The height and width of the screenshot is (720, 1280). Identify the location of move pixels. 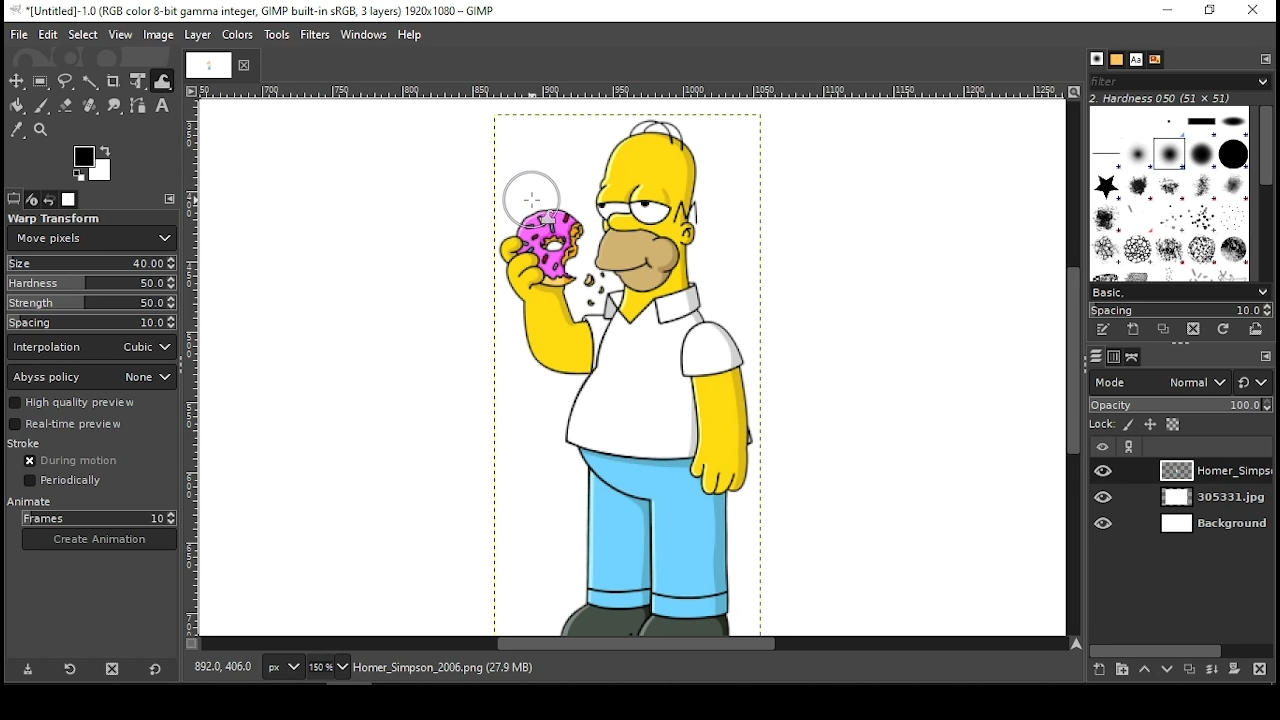
(91, 238).